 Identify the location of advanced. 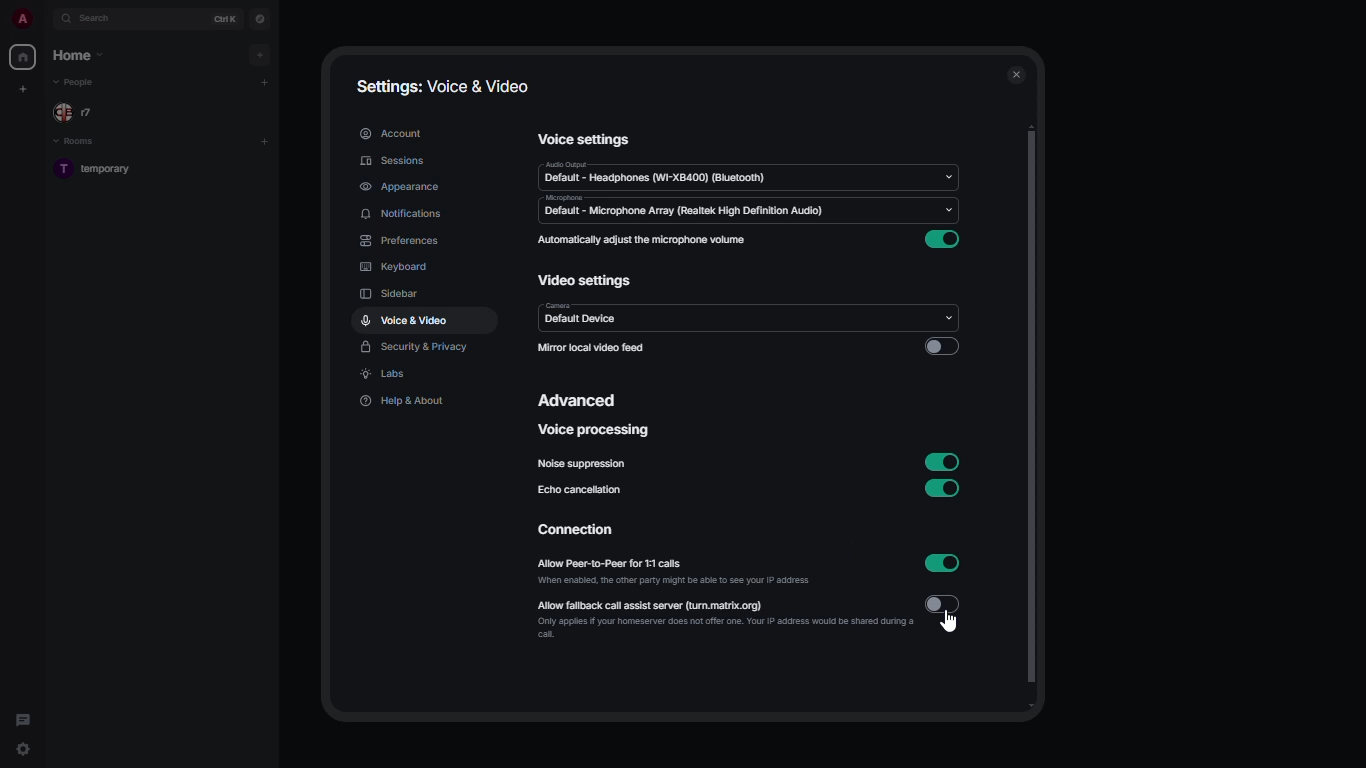
(578, 399).